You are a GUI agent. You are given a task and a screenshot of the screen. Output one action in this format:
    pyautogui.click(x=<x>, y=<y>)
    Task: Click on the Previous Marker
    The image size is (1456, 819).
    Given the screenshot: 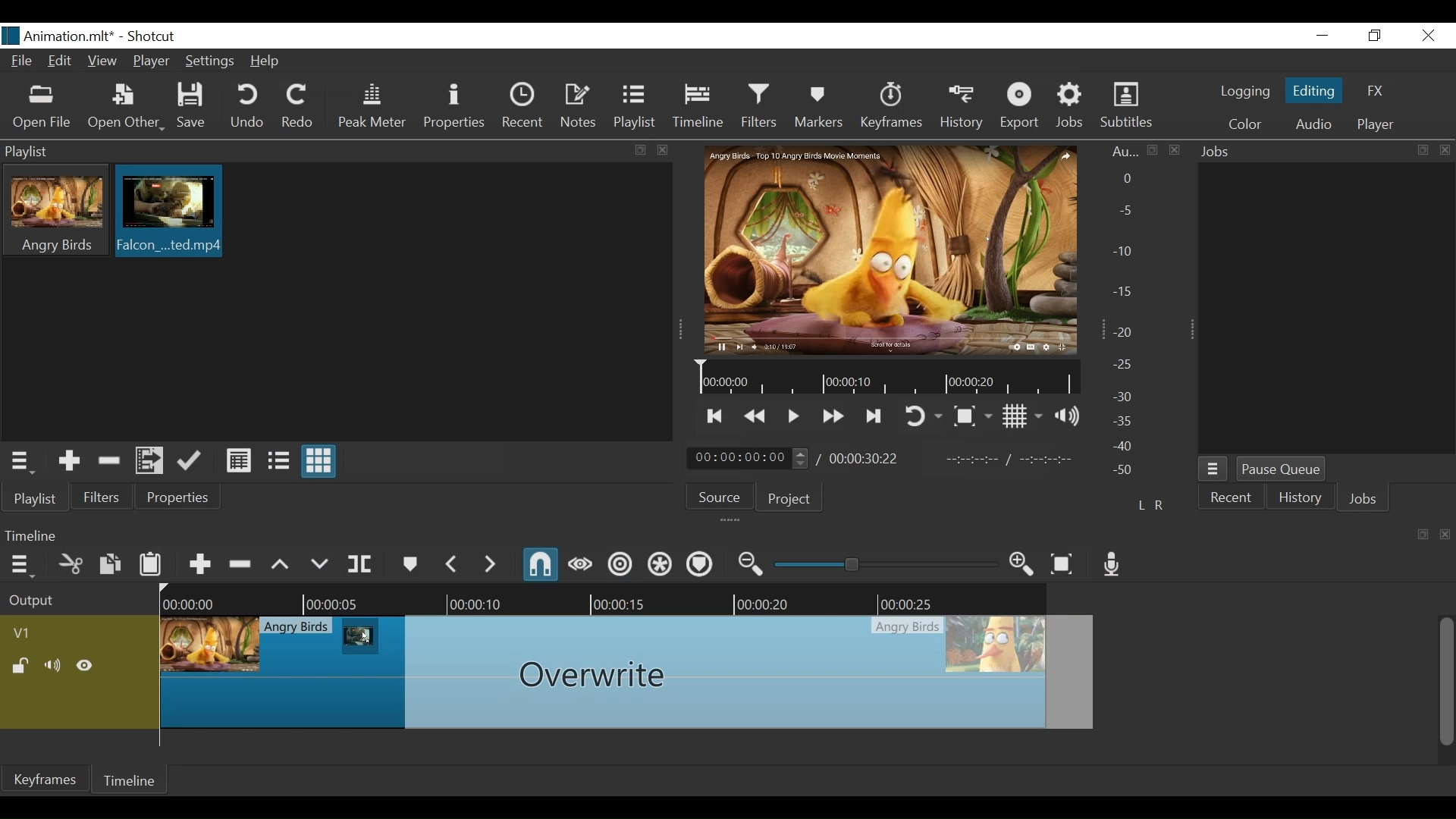 What is the action you would take?
    pyautogui.click(x=451, y=563)
    